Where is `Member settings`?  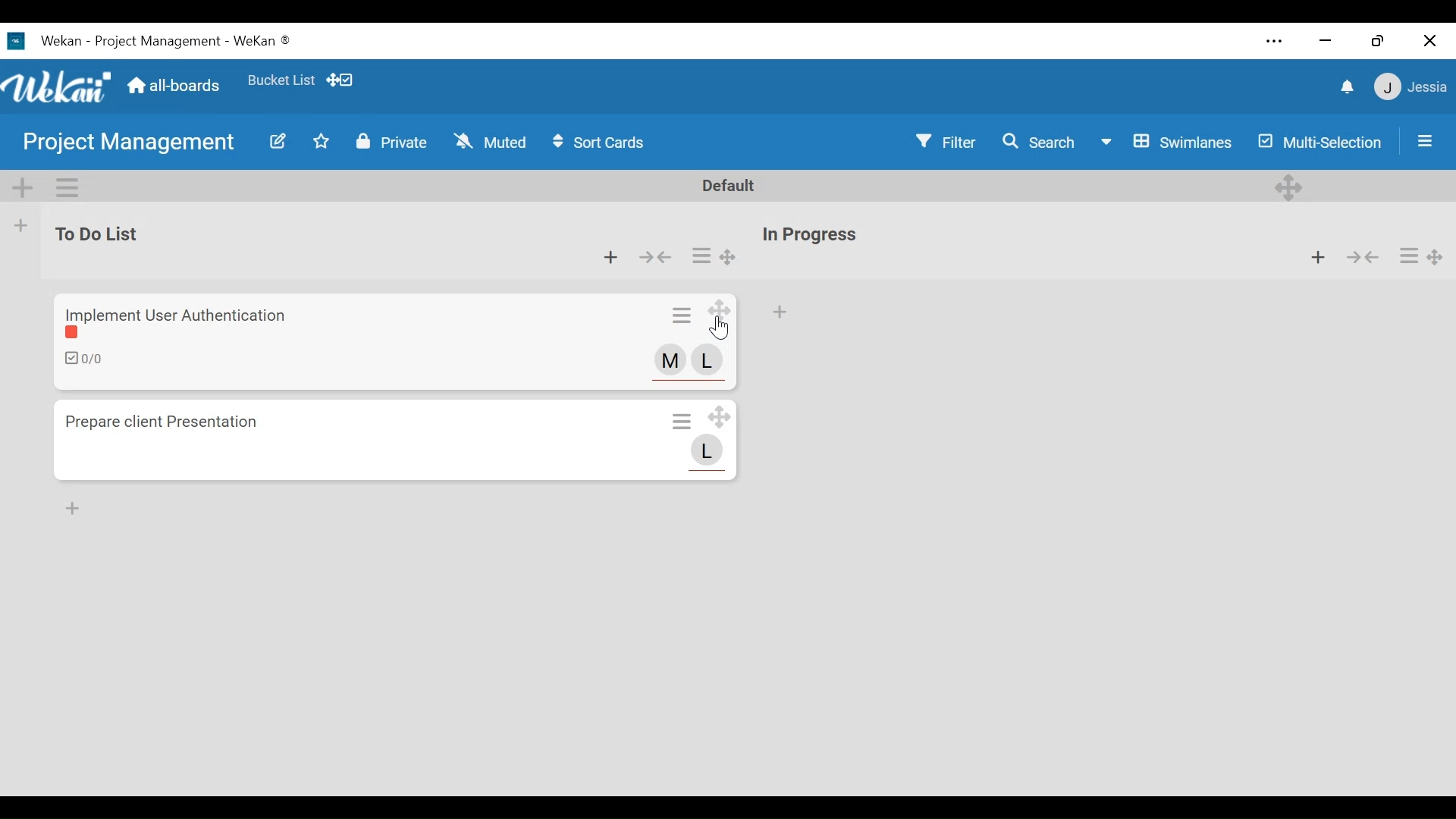
Member settings is located at coordinates (1407, 87).